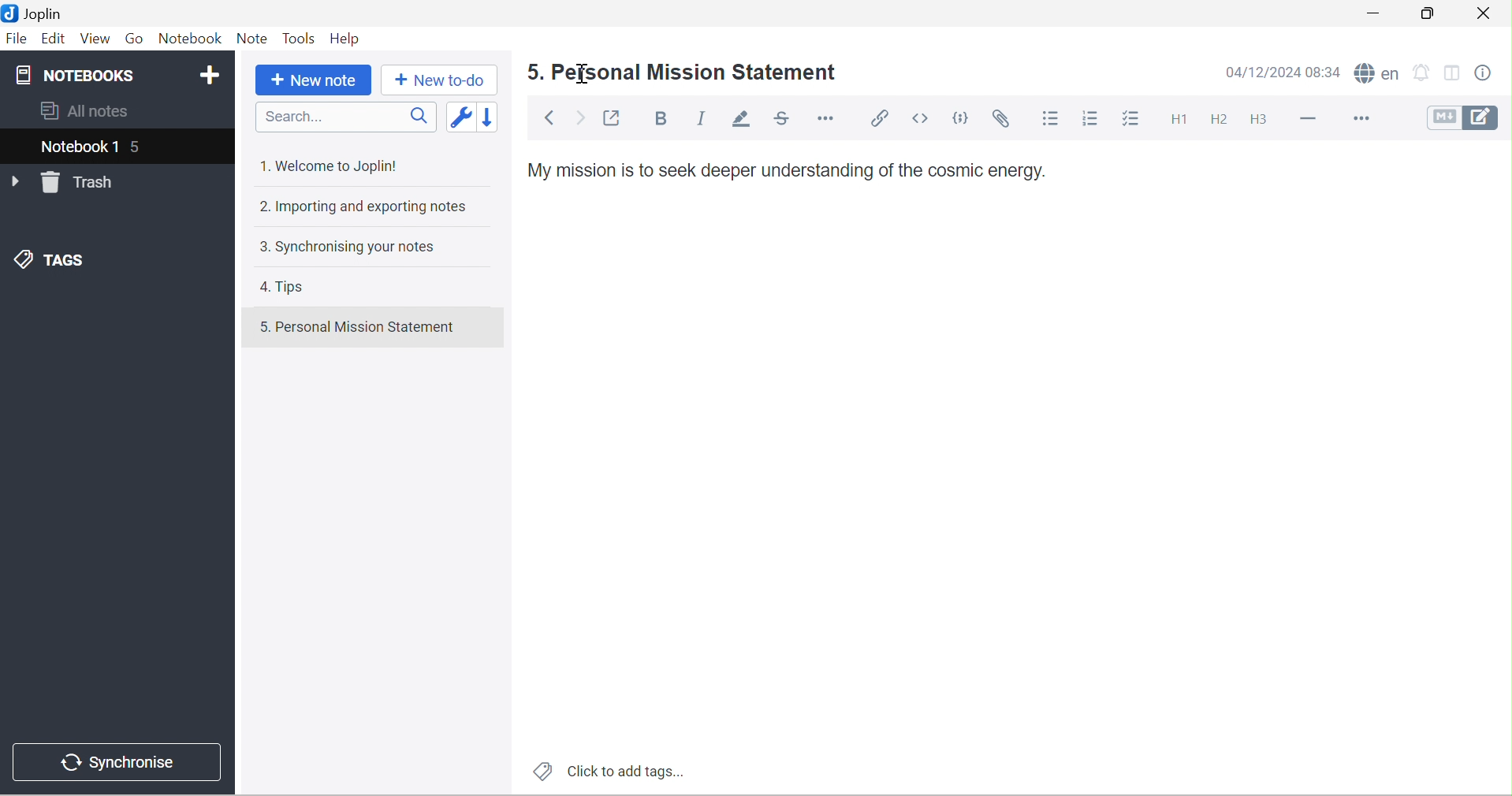 This screenshot has width=1512, height=796. What do you see at coordinates (744, 120) in the screenshot?
I see `Highlight` at bounding box center [744, 120].